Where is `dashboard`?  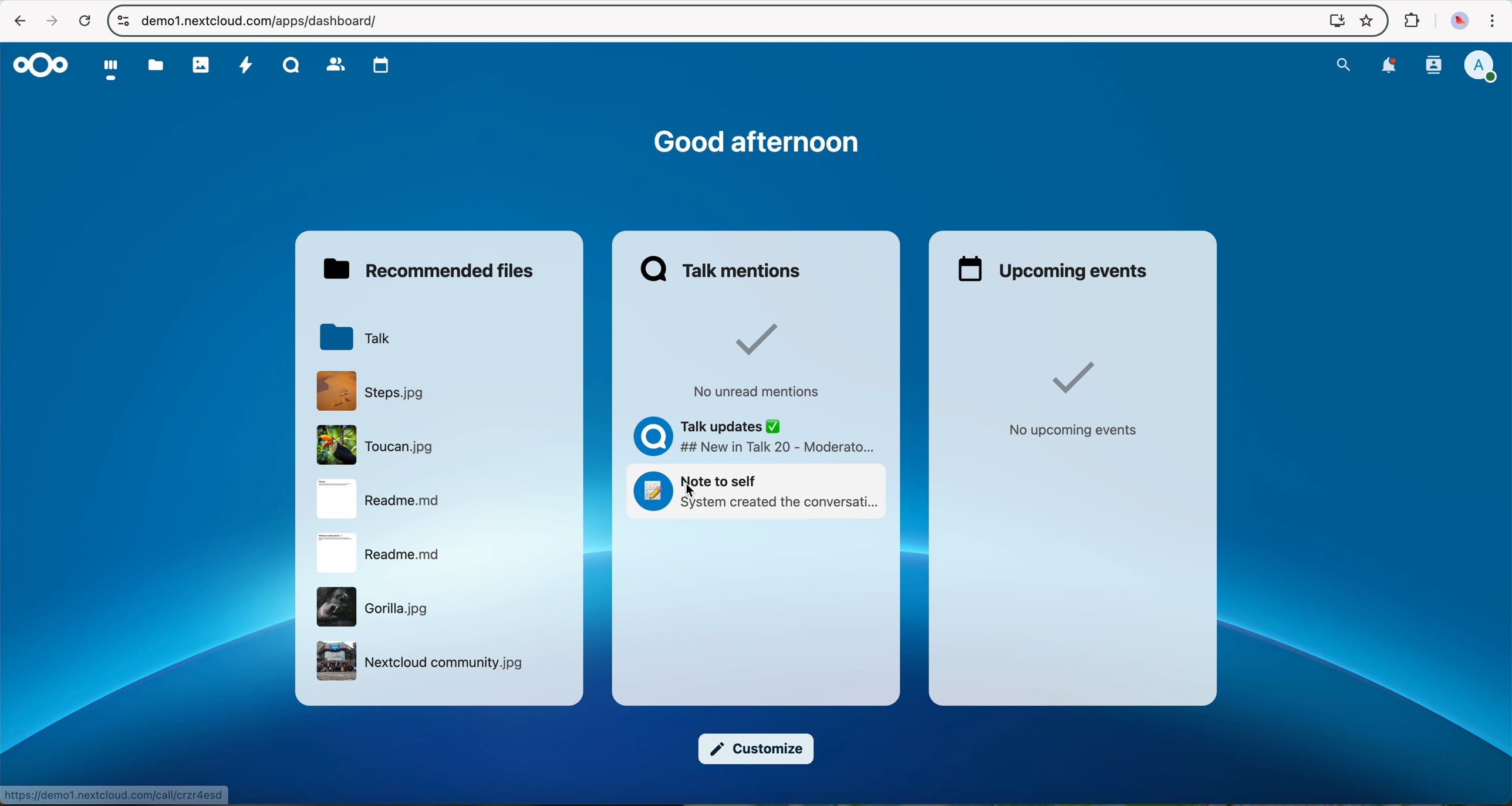 dashboard is located at coordinates (105, 69).